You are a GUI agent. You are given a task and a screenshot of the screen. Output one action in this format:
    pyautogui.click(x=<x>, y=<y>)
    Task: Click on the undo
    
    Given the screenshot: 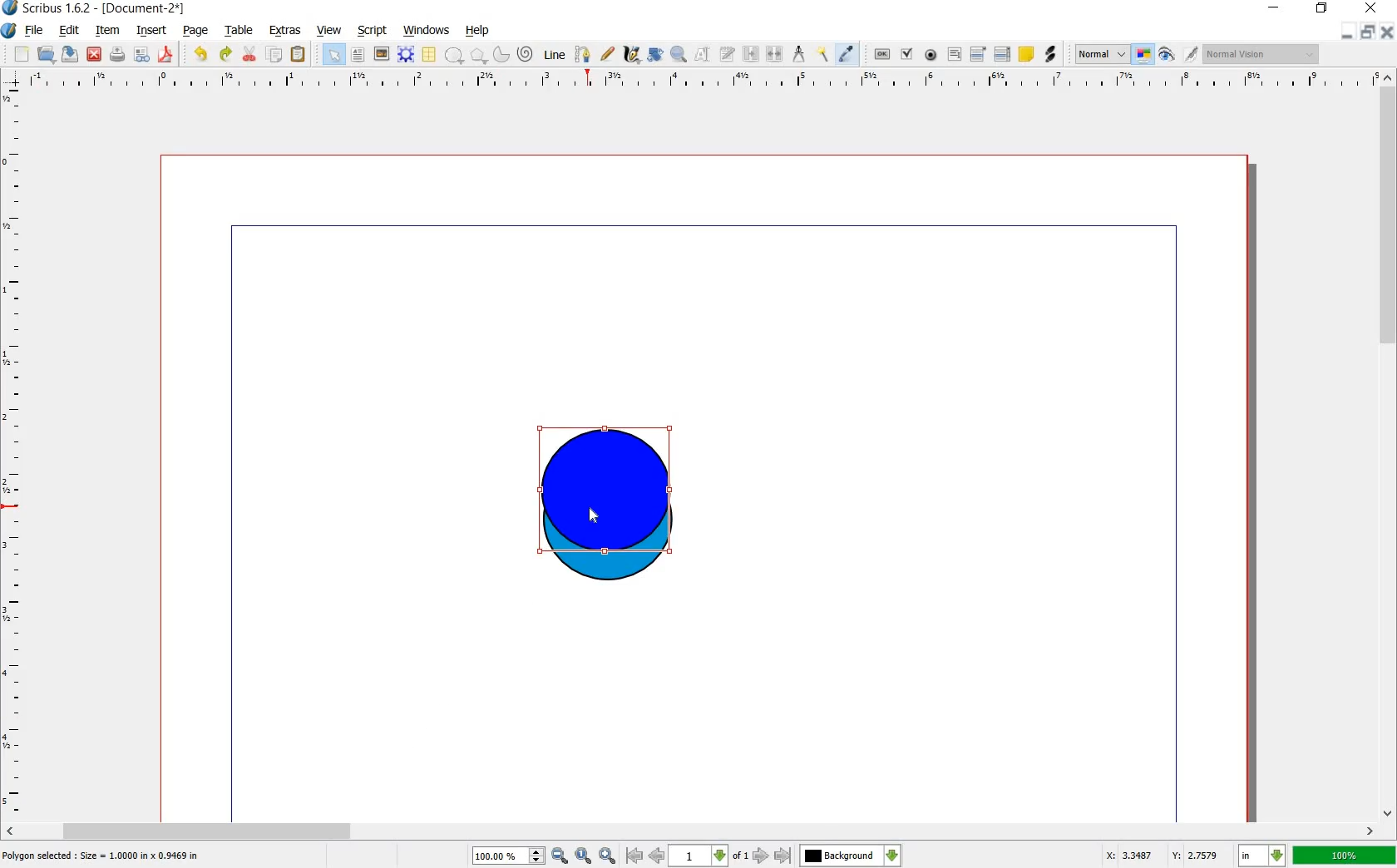 What is the action you would take?
    pyautogui.click(x=202, y=55)
    